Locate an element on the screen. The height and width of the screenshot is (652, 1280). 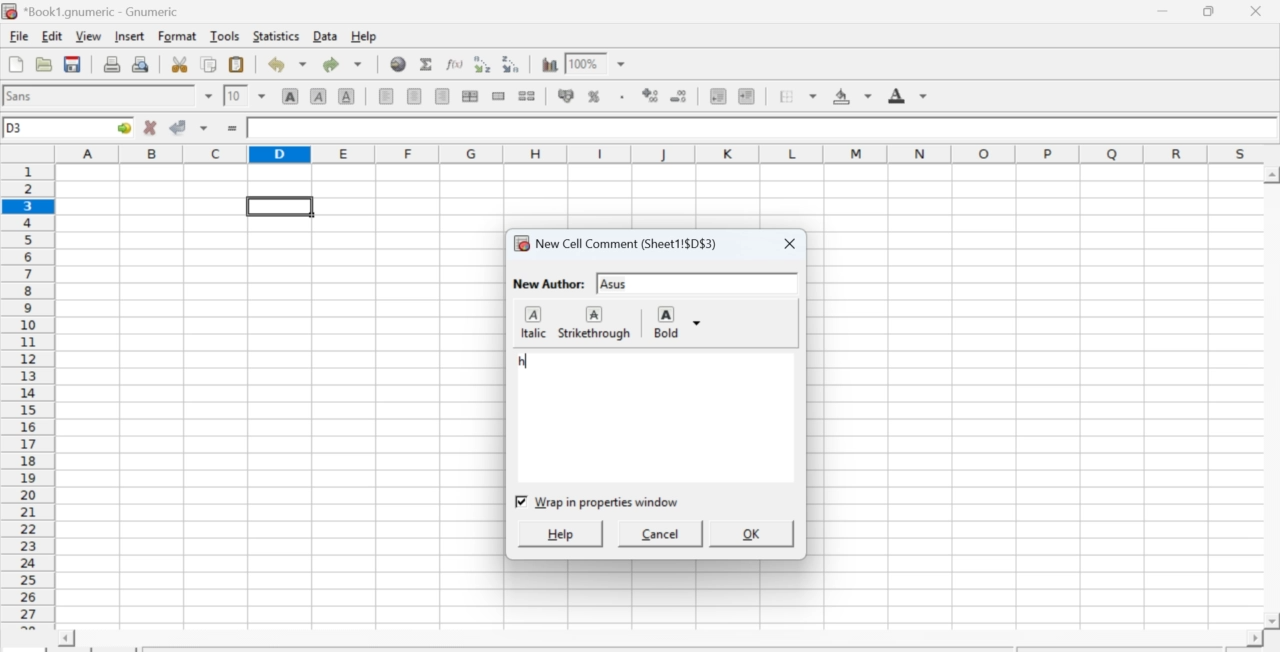
Format is located at coordinates (178, 36).